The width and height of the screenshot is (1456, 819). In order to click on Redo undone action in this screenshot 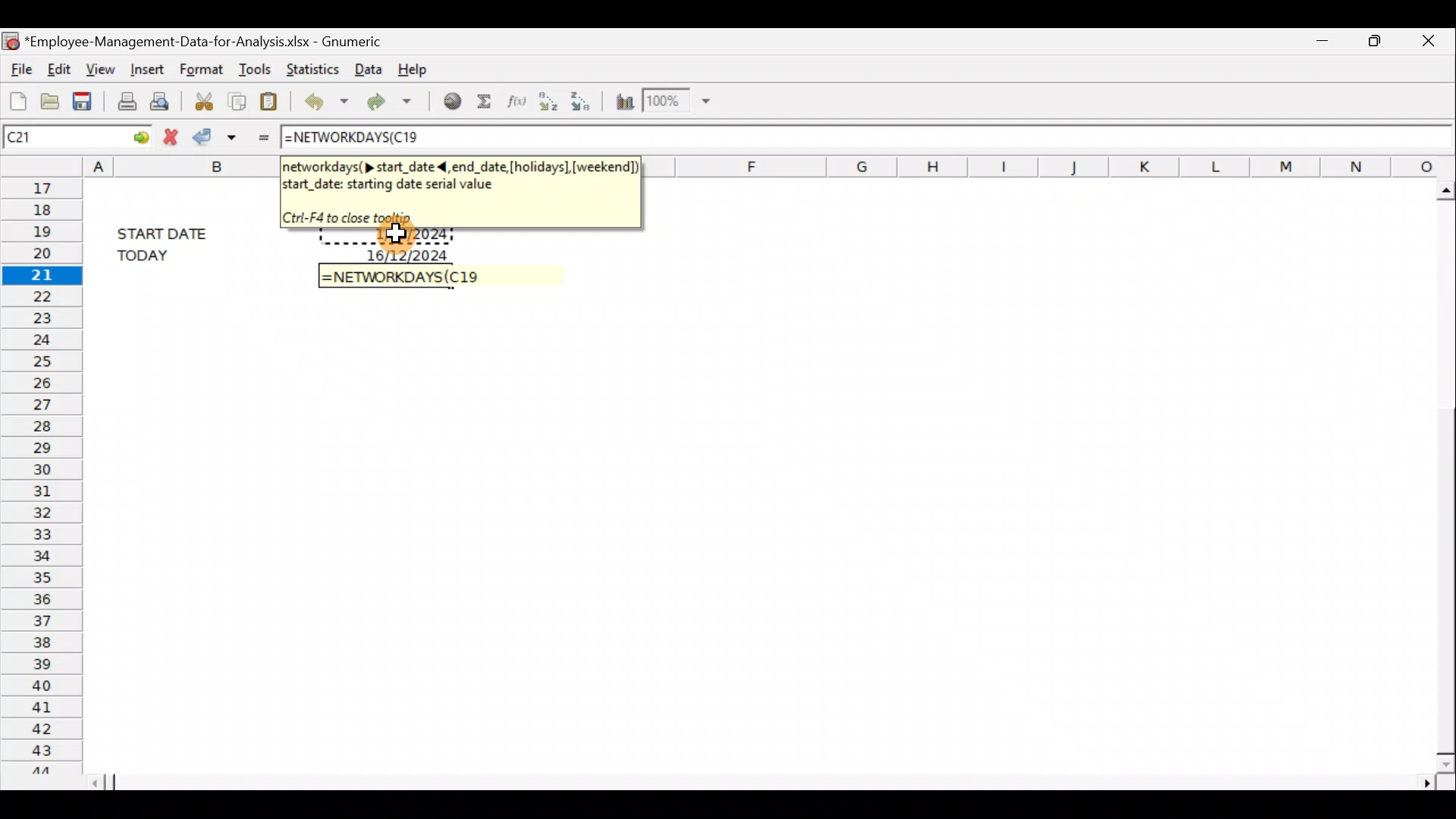, I will do `click(386, 101)`.